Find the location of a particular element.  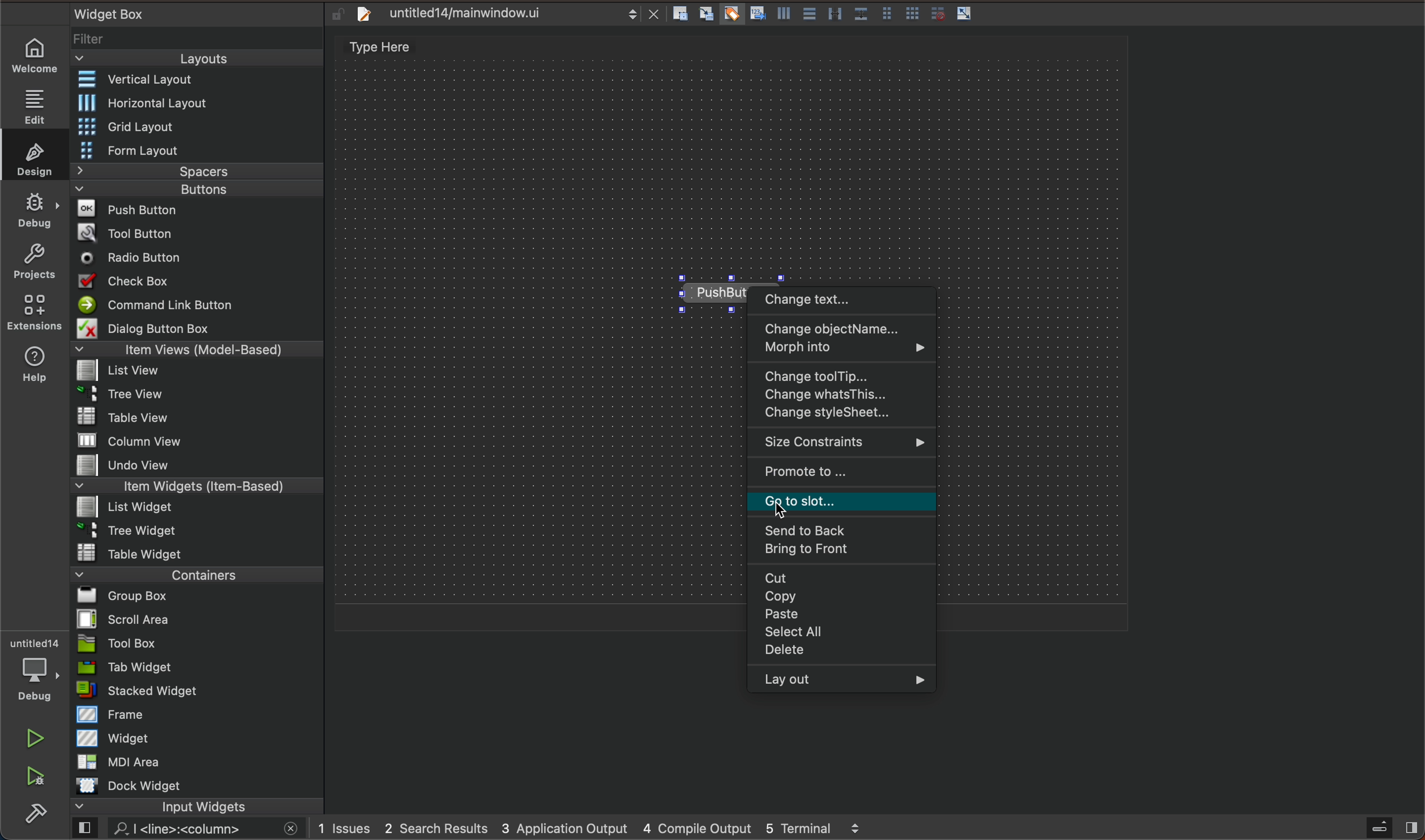

tree view is located at coordinates (203, 396).